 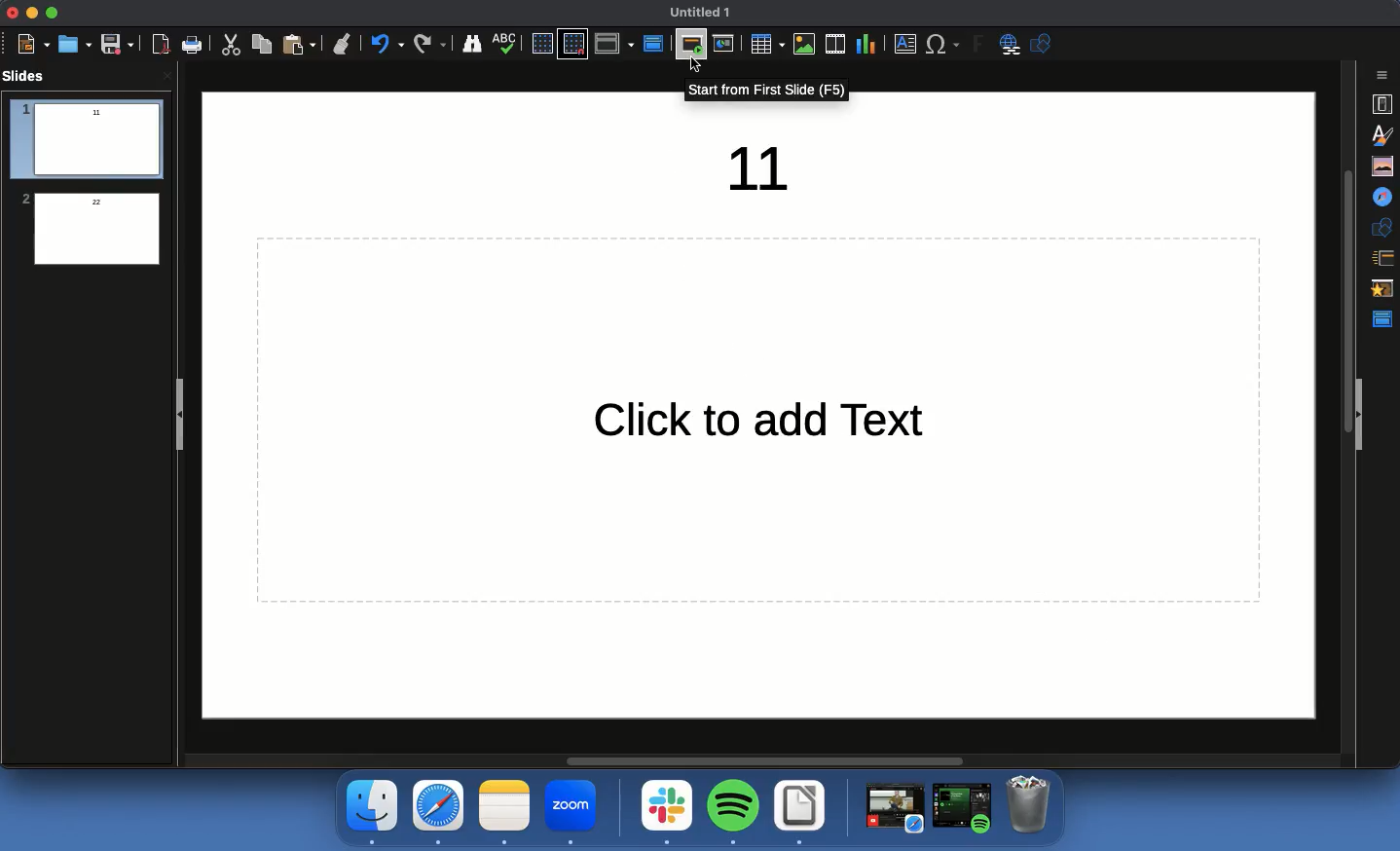 What do you see at coordinates (261, 46) in the screenshot?
I see `Copy` at bounding box center [261, 46].